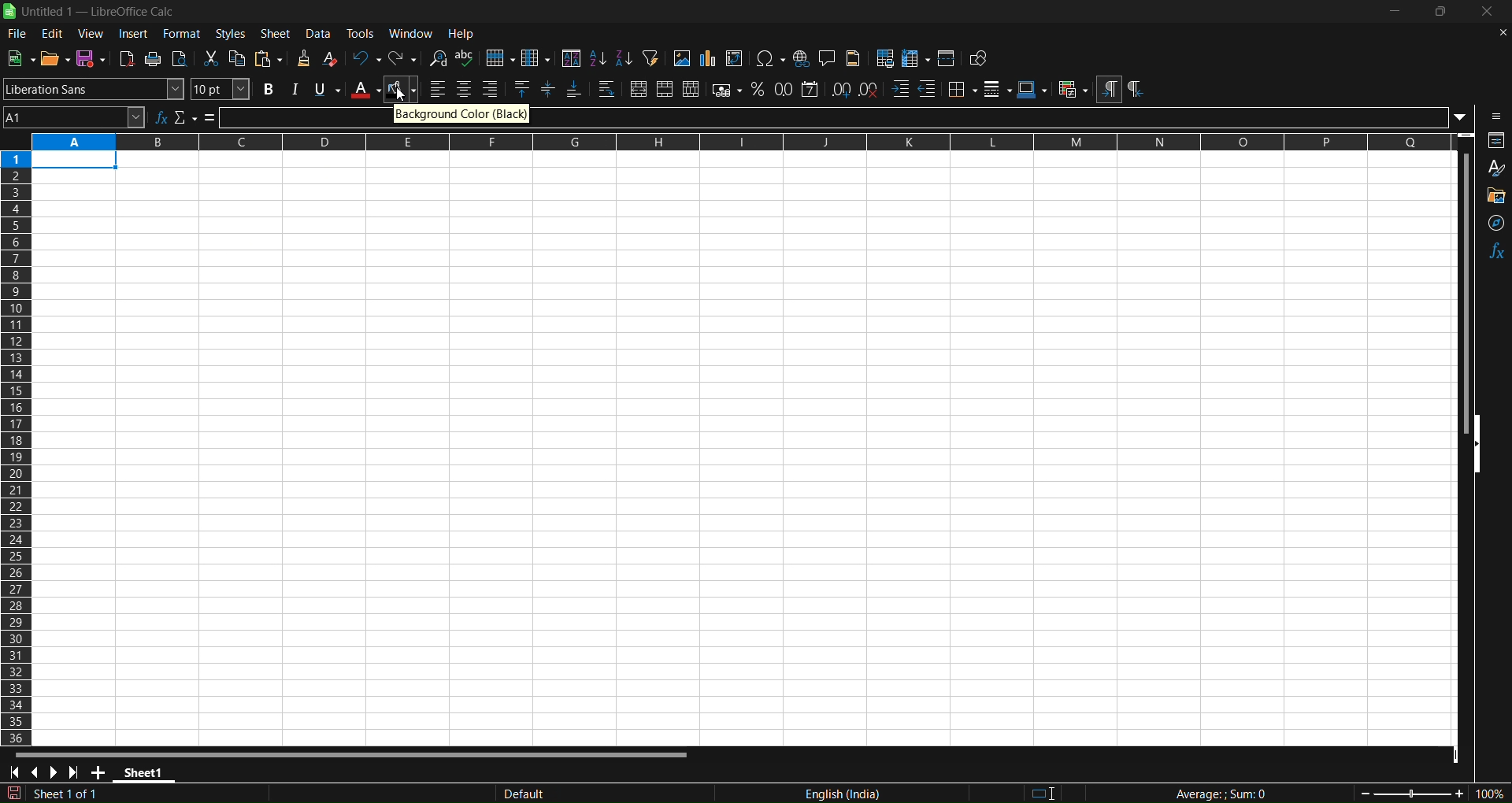 The width and height of the screenshot is (1512, 803). Describe the element at coordinates (1110, 90) in the screenshot. I see `left to right` at that location.